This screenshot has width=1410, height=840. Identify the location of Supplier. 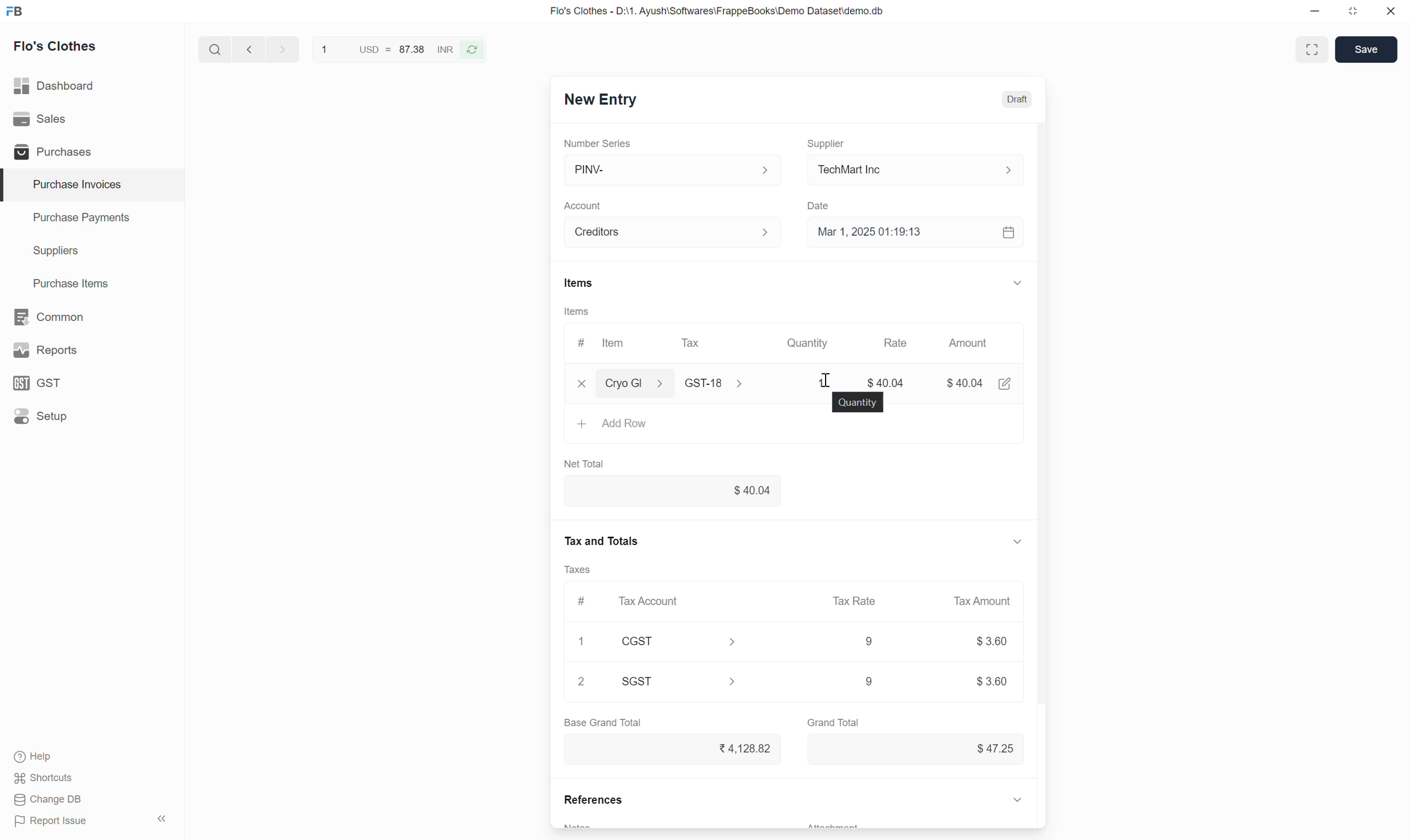
(831, 139).